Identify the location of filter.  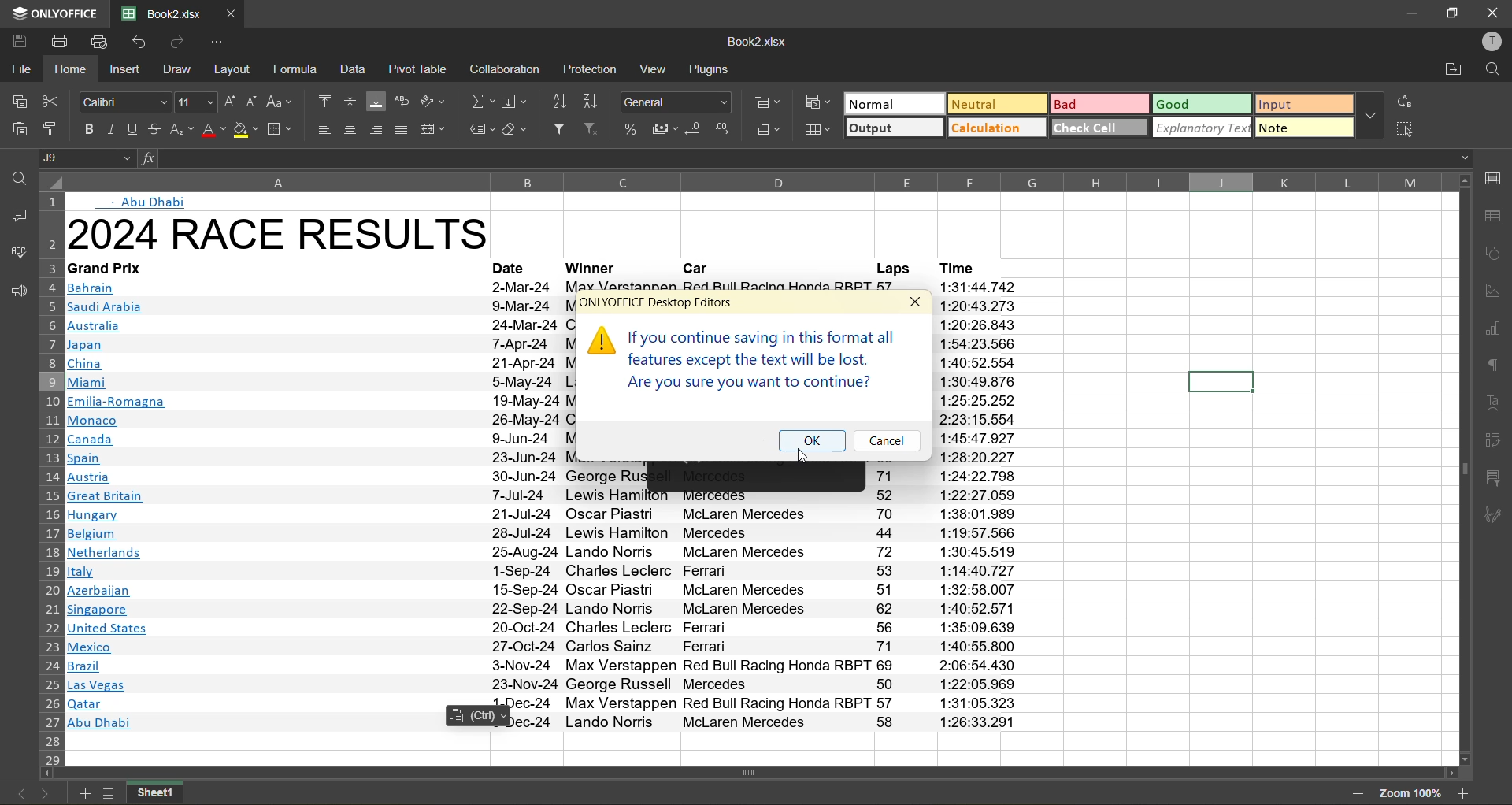
(556, 129).